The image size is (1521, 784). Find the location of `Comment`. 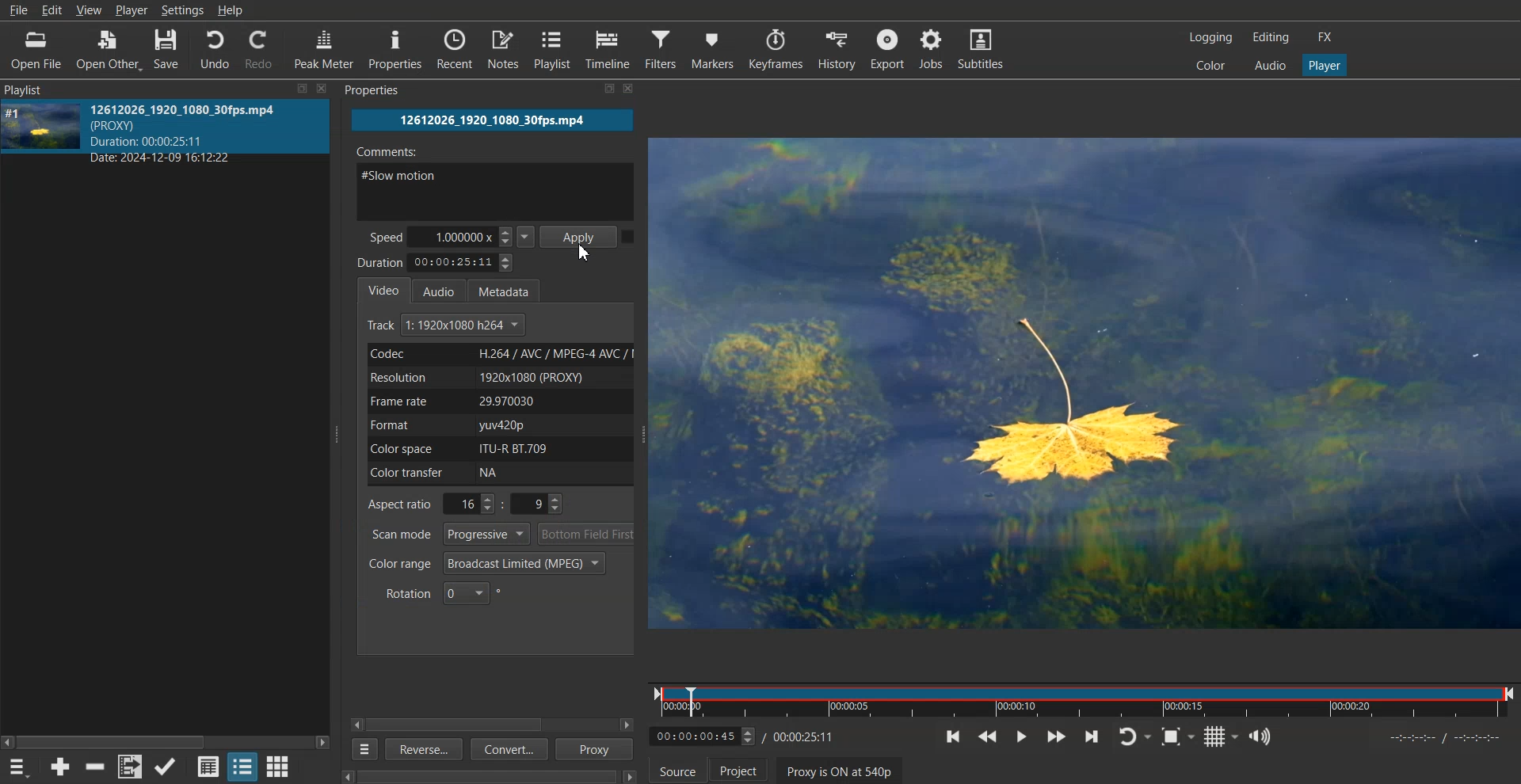

Comment is located at coordinates (496, 179).